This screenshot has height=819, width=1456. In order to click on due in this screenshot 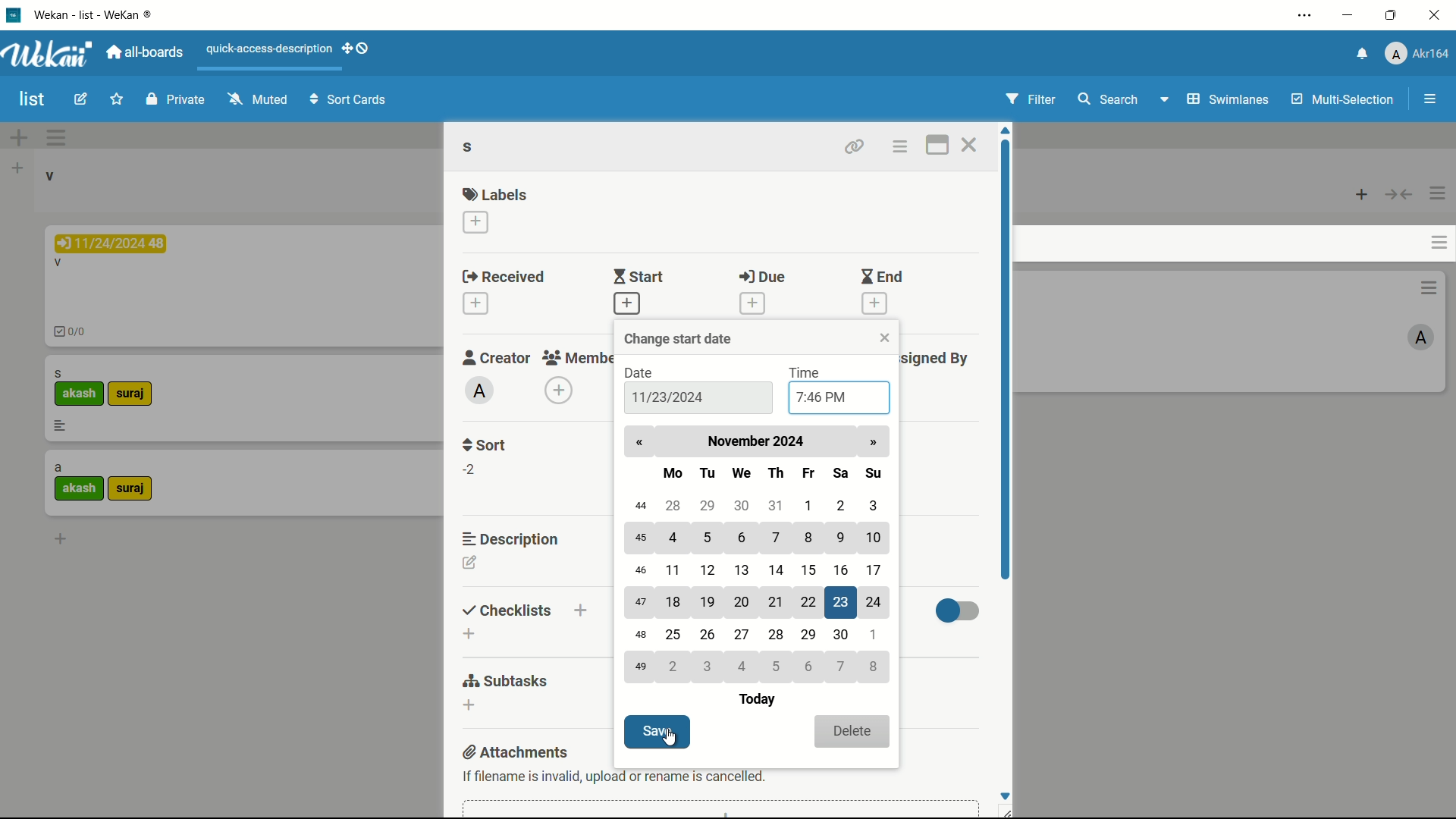, I will do `click(766, 277)`.